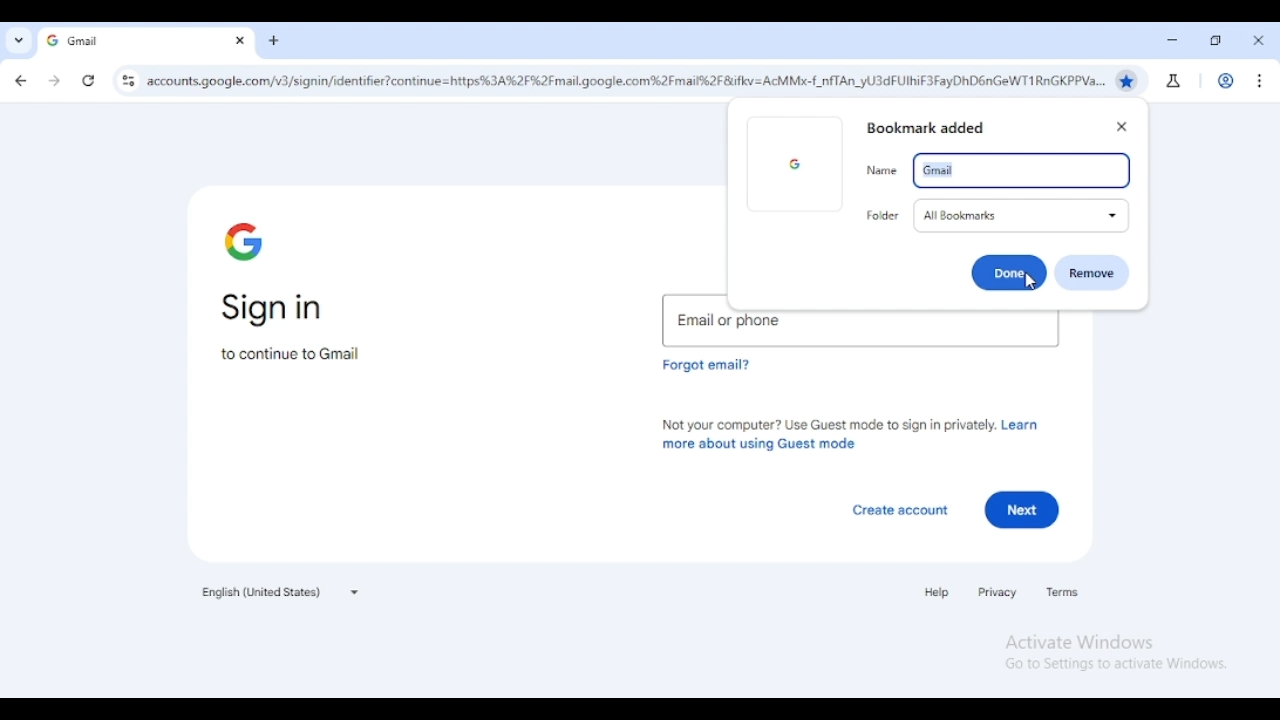 This screenshot has width=1280, height=720. I want to click on new tab, so click(274, 41).